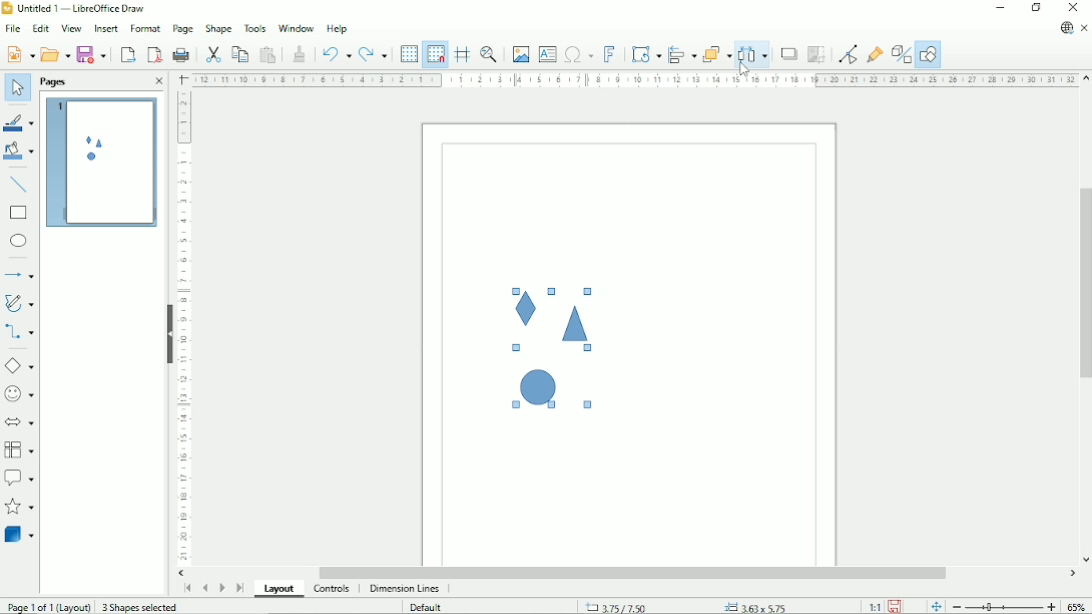  What do you see at coordinates (1003, 607) in the screenshot?
I see `Zoom out/in` at bounding box center [1003, 607].